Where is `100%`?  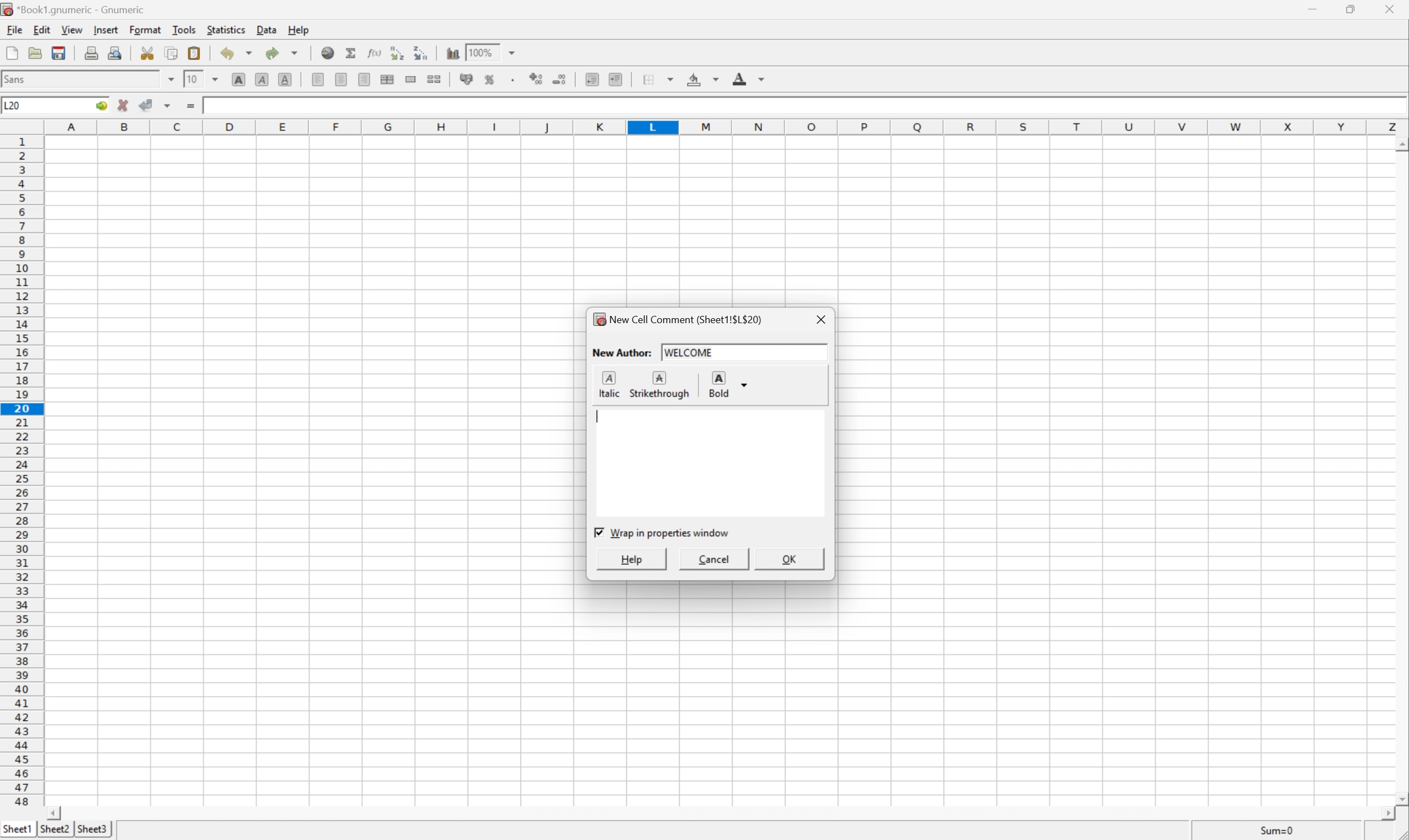
100% is located at coordinates (481, 52).